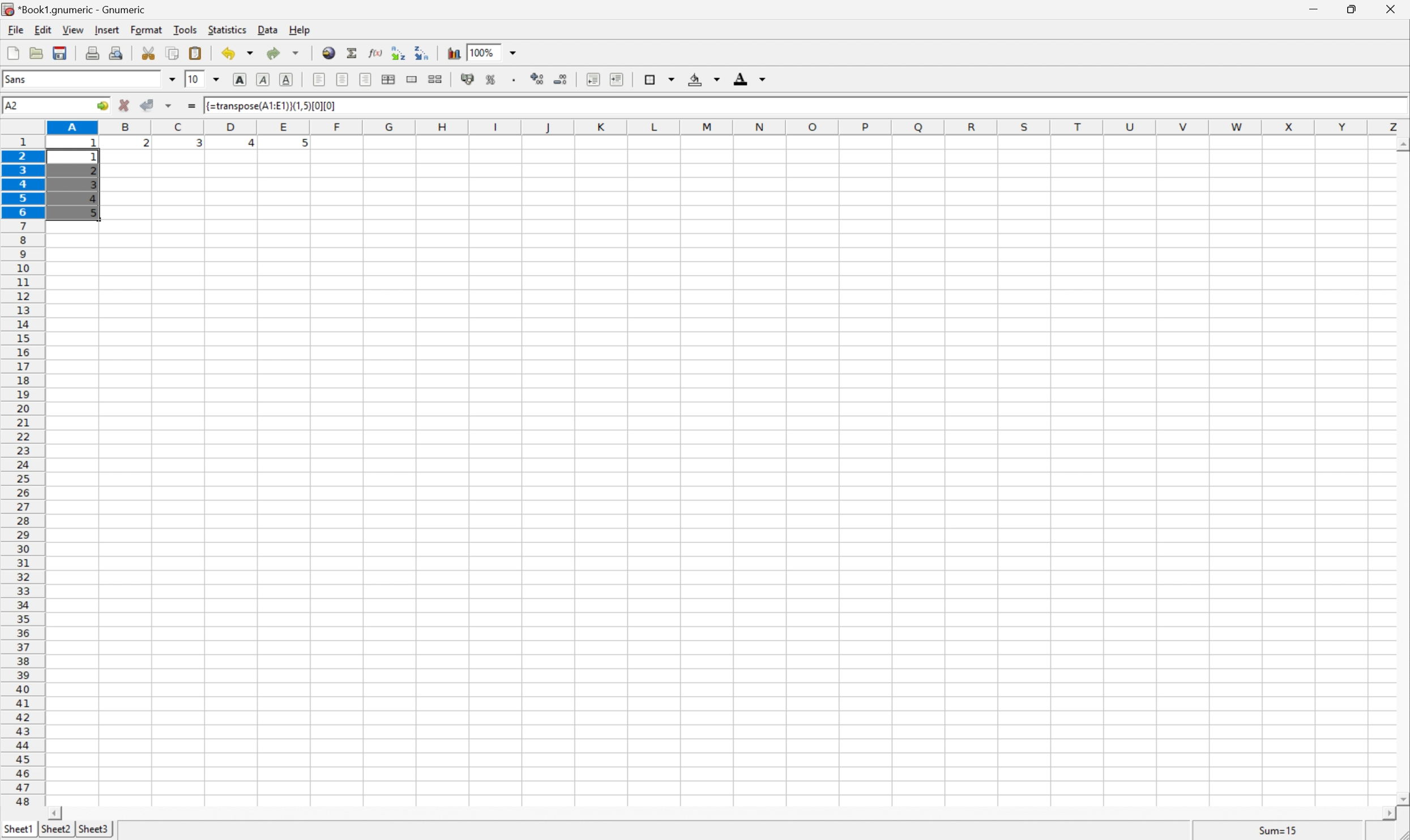  I want to click on cancel change, so click(125, 102).